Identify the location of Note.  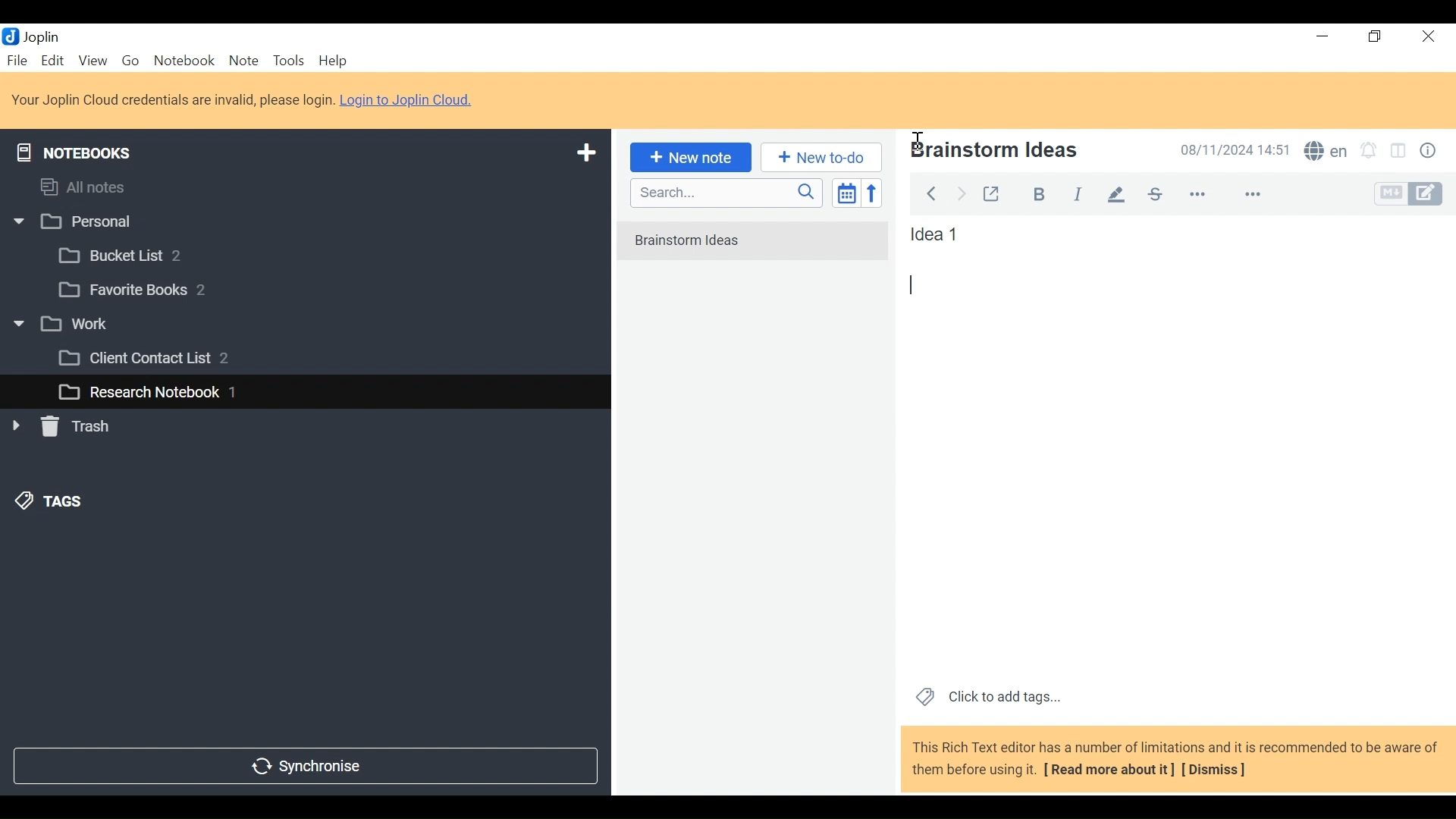
(243, 60).